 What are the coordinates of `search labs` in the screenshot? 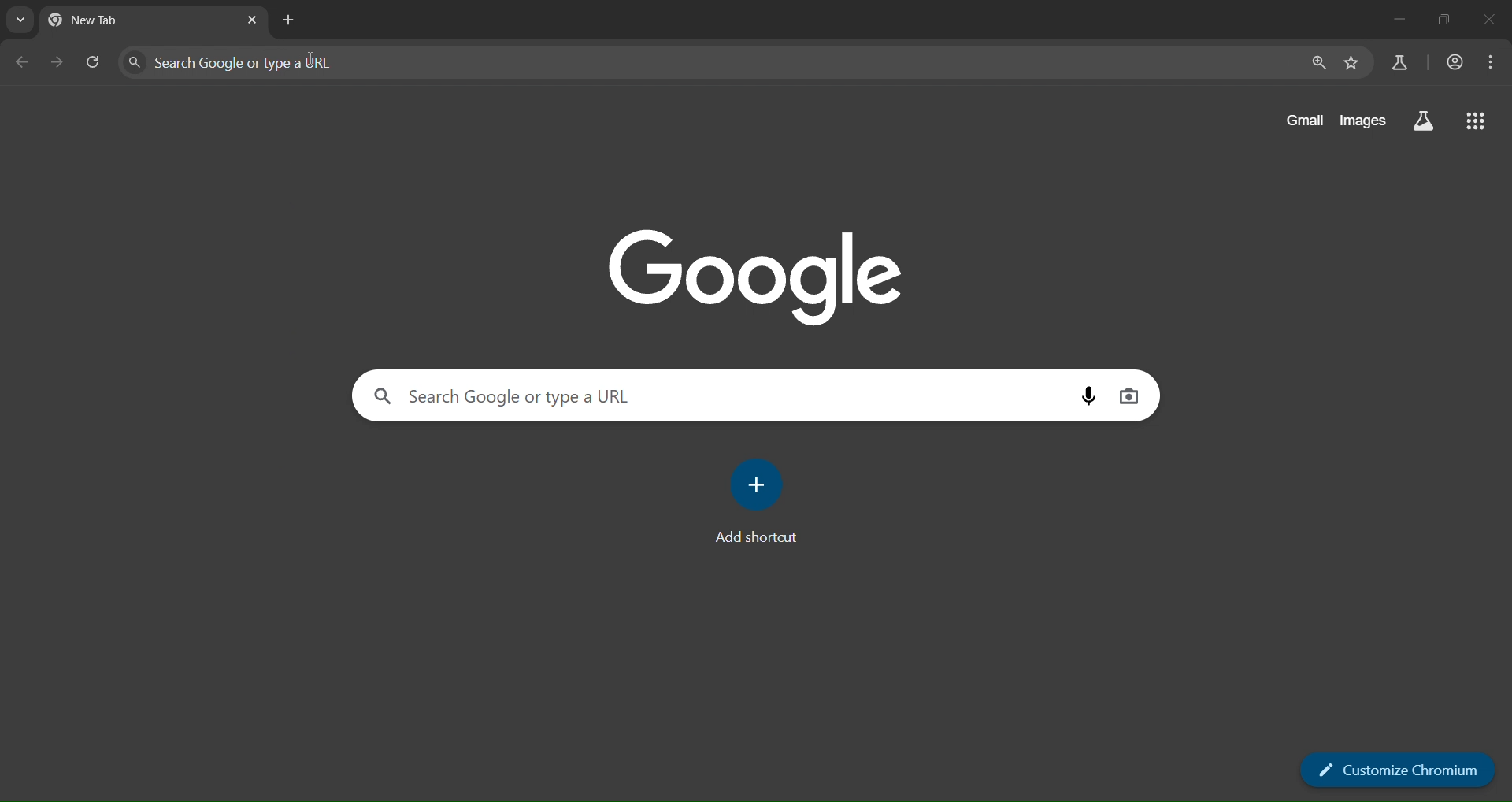 It's located at (1422, 121).